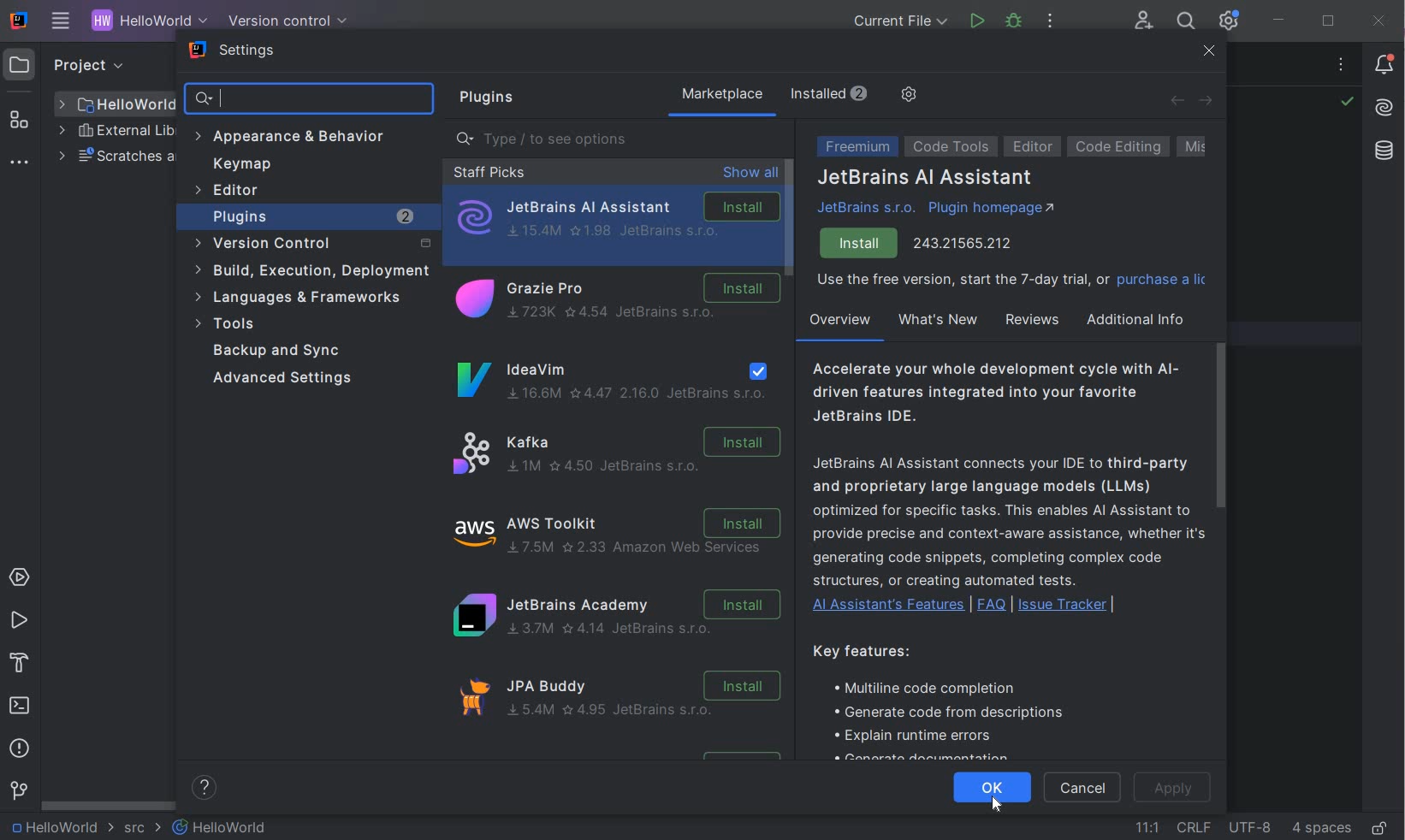  Describe the element at coordinates (234, 52) in the screenshot. I see `settings` at that location.